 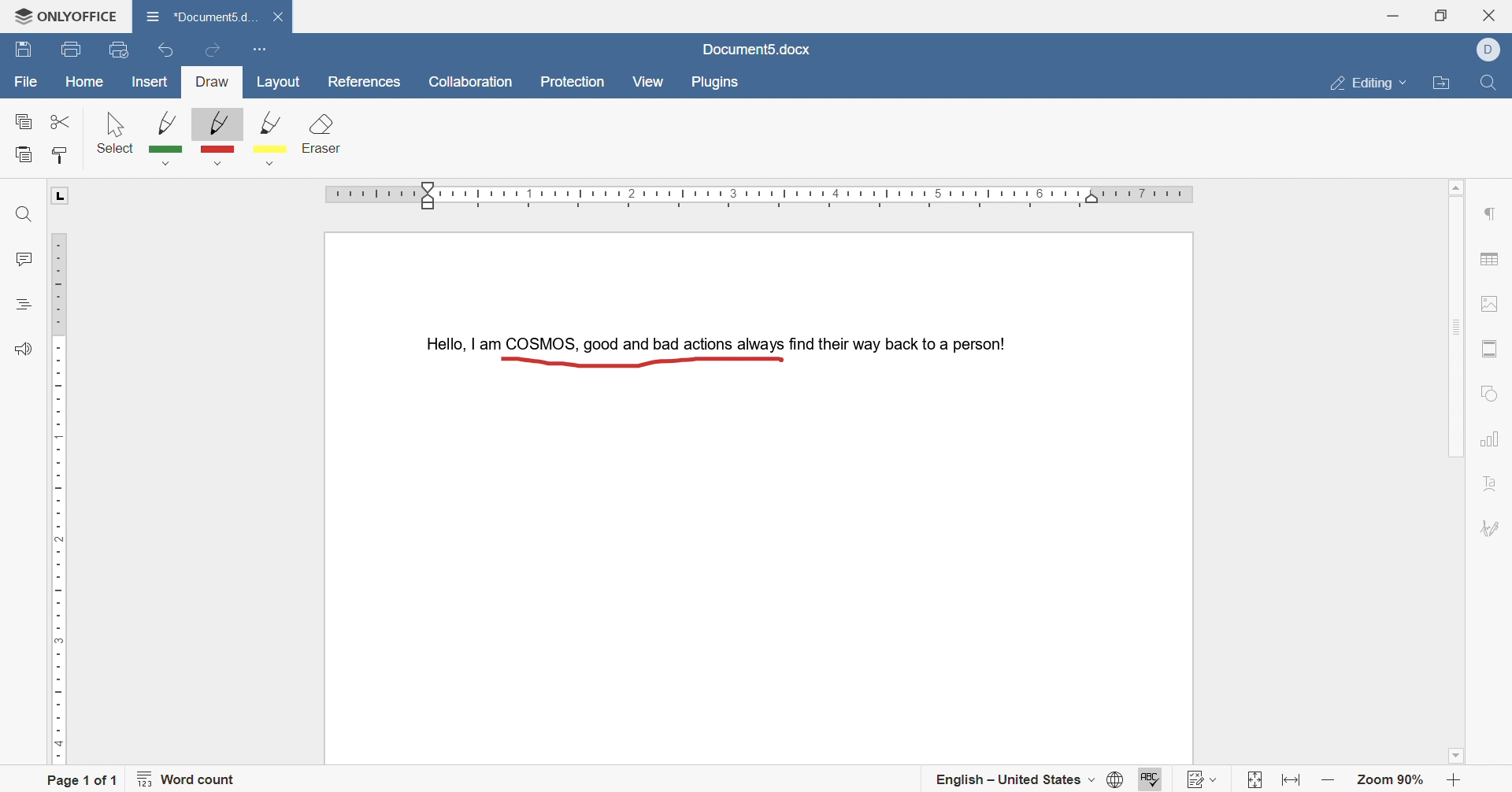 I want to click on insert, so click(x=150, y=83).